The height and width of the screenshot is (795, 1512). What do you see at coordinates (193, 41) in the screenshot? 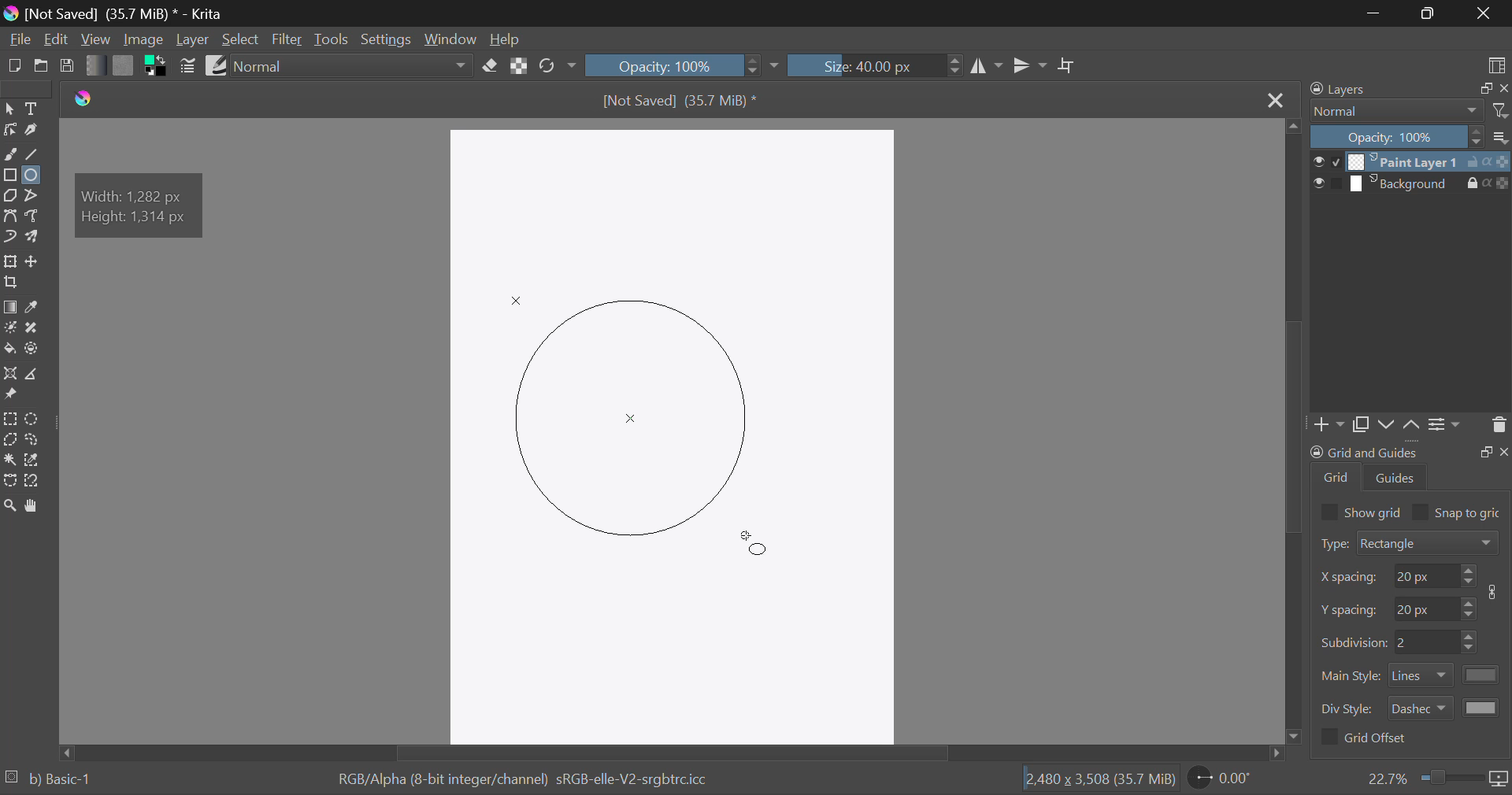
I see `Layer` at bounding box center [193, 41].